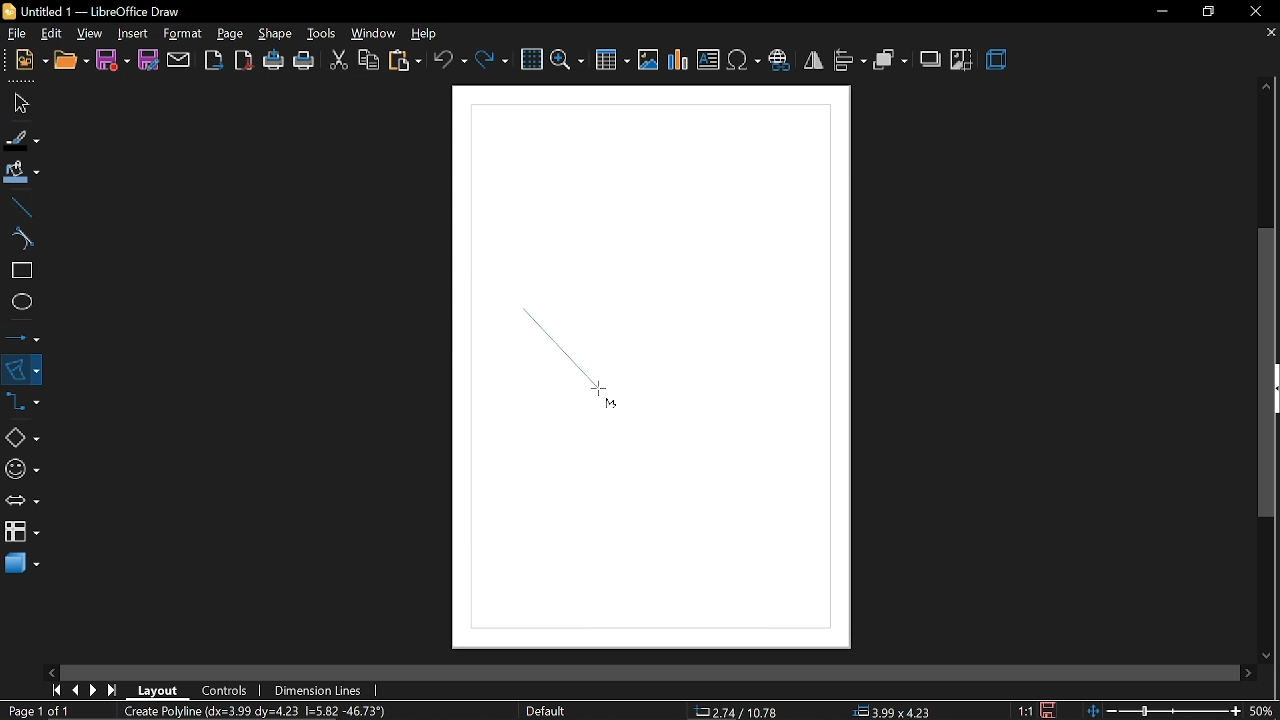 The width and height of the screenshot is (1280, 720). I want to click on 3d shapes, so click(20, 564).